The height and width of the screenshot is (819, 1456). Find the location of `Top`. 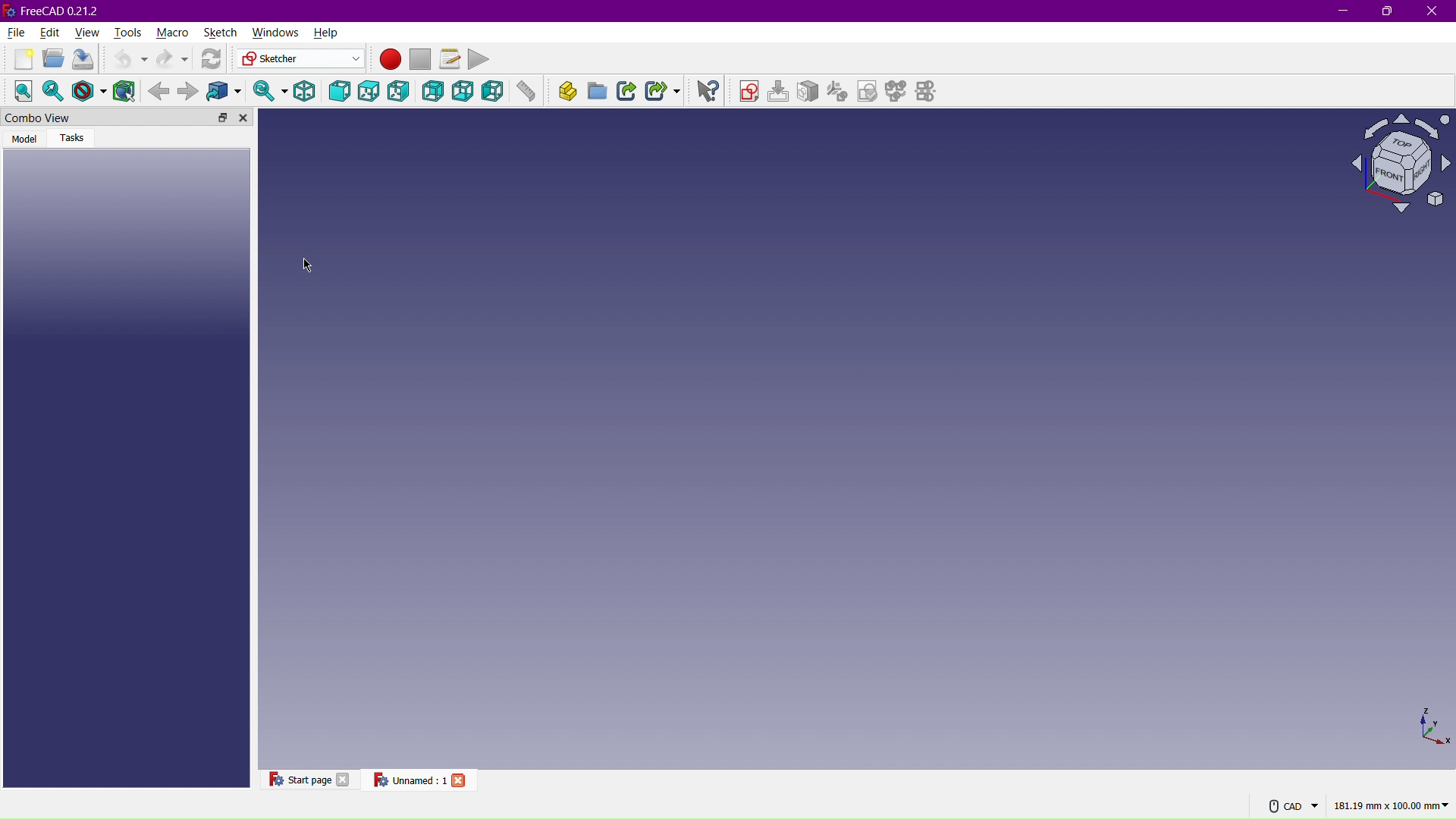

Top is located at coordinates (369, 89).